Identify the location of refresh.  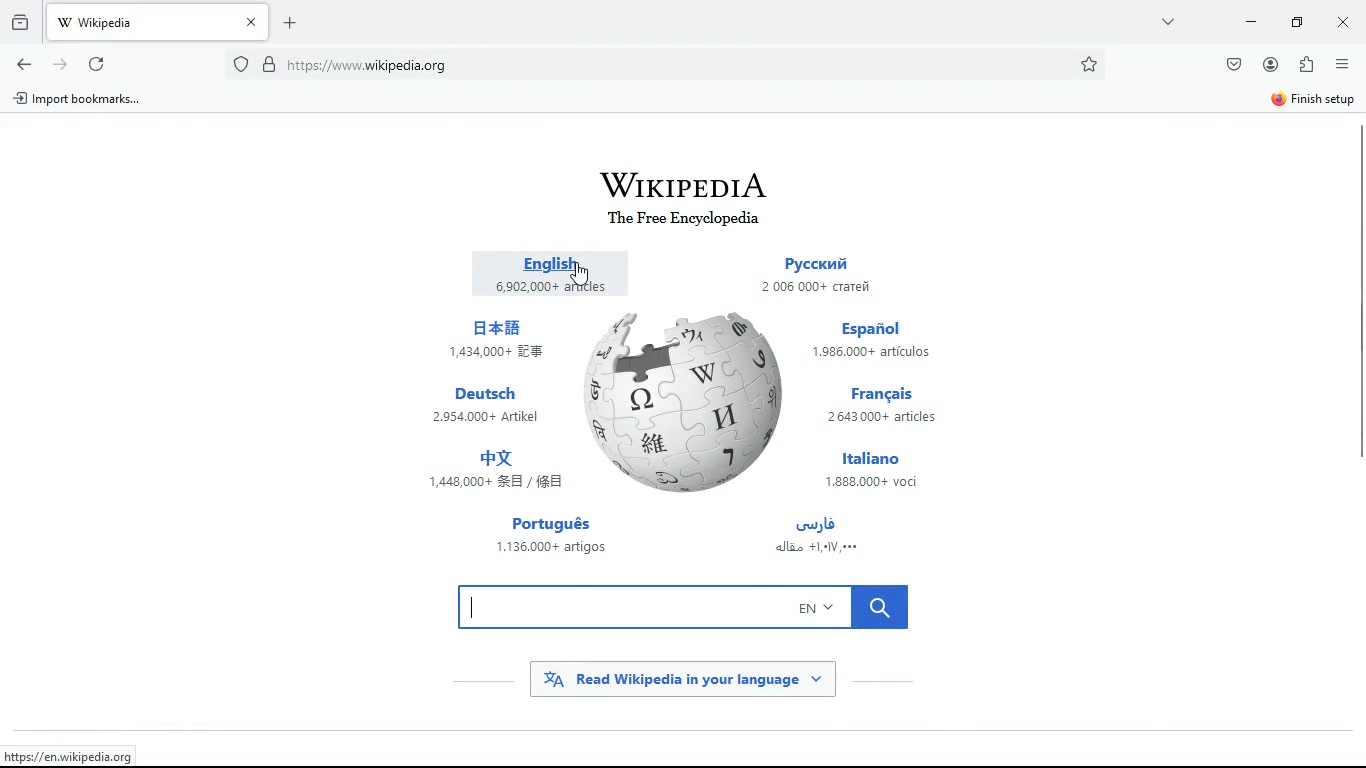
(96, 66).